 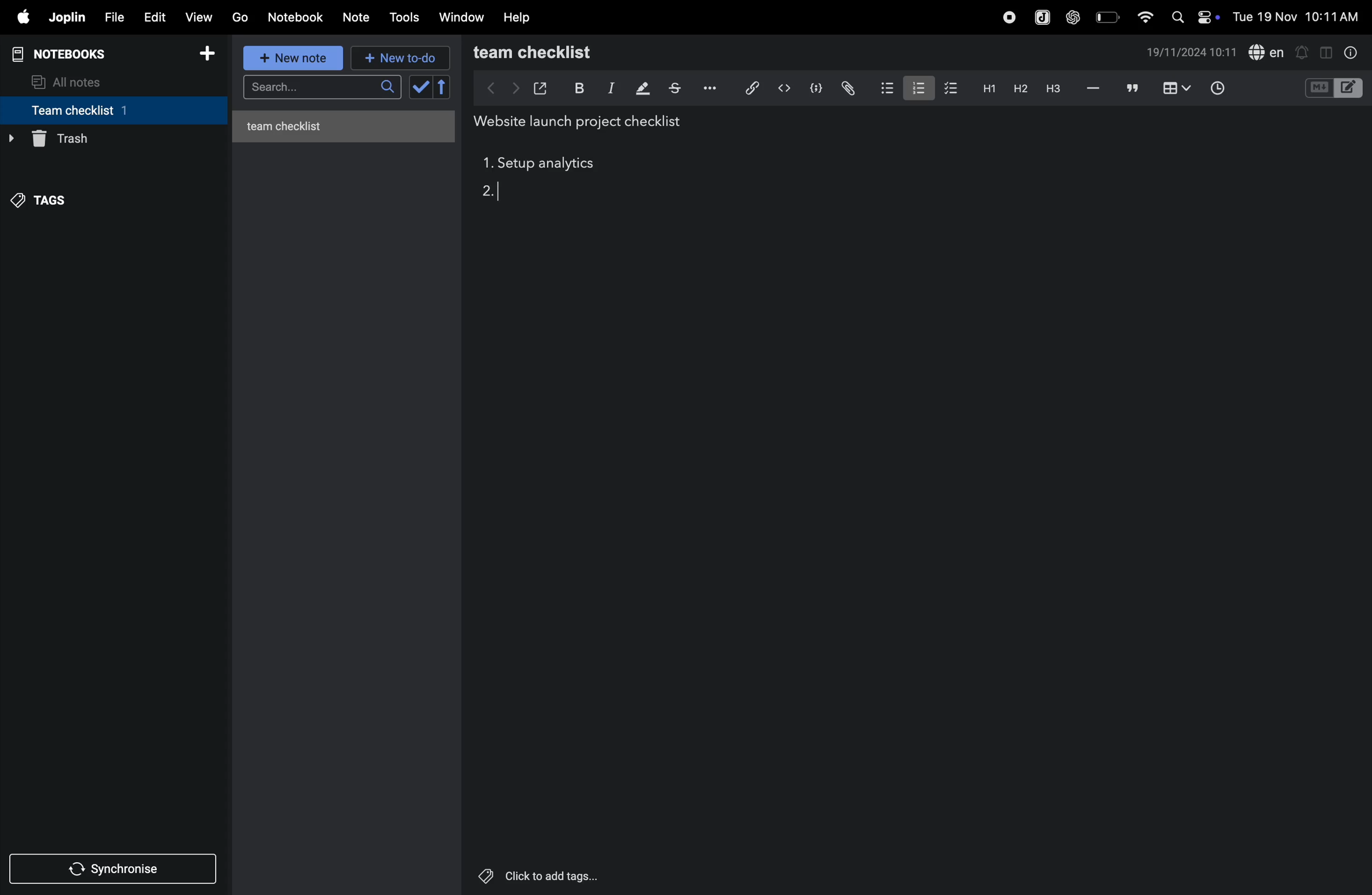 I want to click on help, so click(x=520, y=17).